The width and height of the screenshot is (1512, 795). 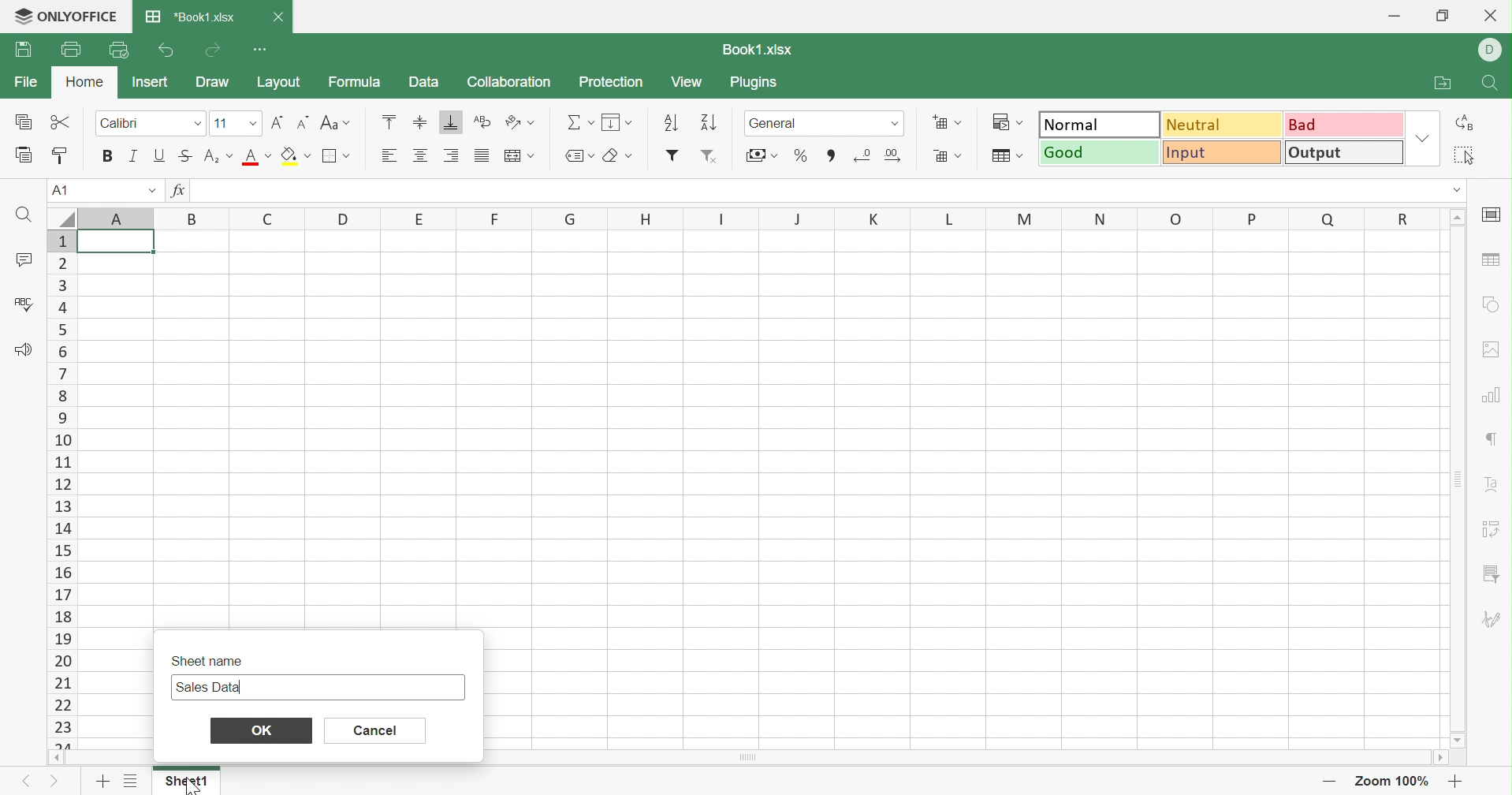 What do you see at coordinates (948, 121) in the screenshot?
I see `Insert cells` at bounding box center [948, 121].